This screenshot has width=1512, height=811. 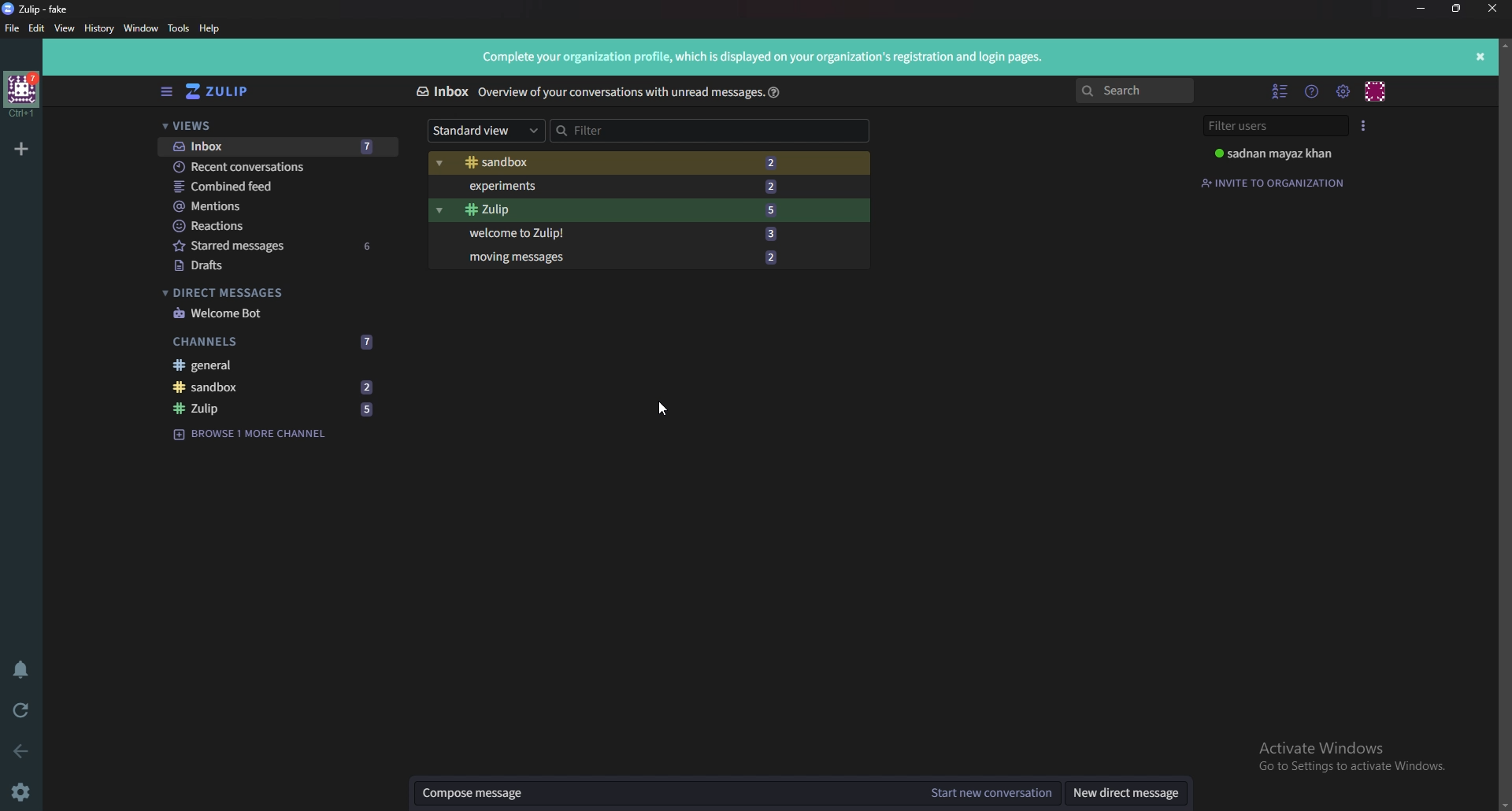 I want to click on welcome bot, so click(x=276, y=313).